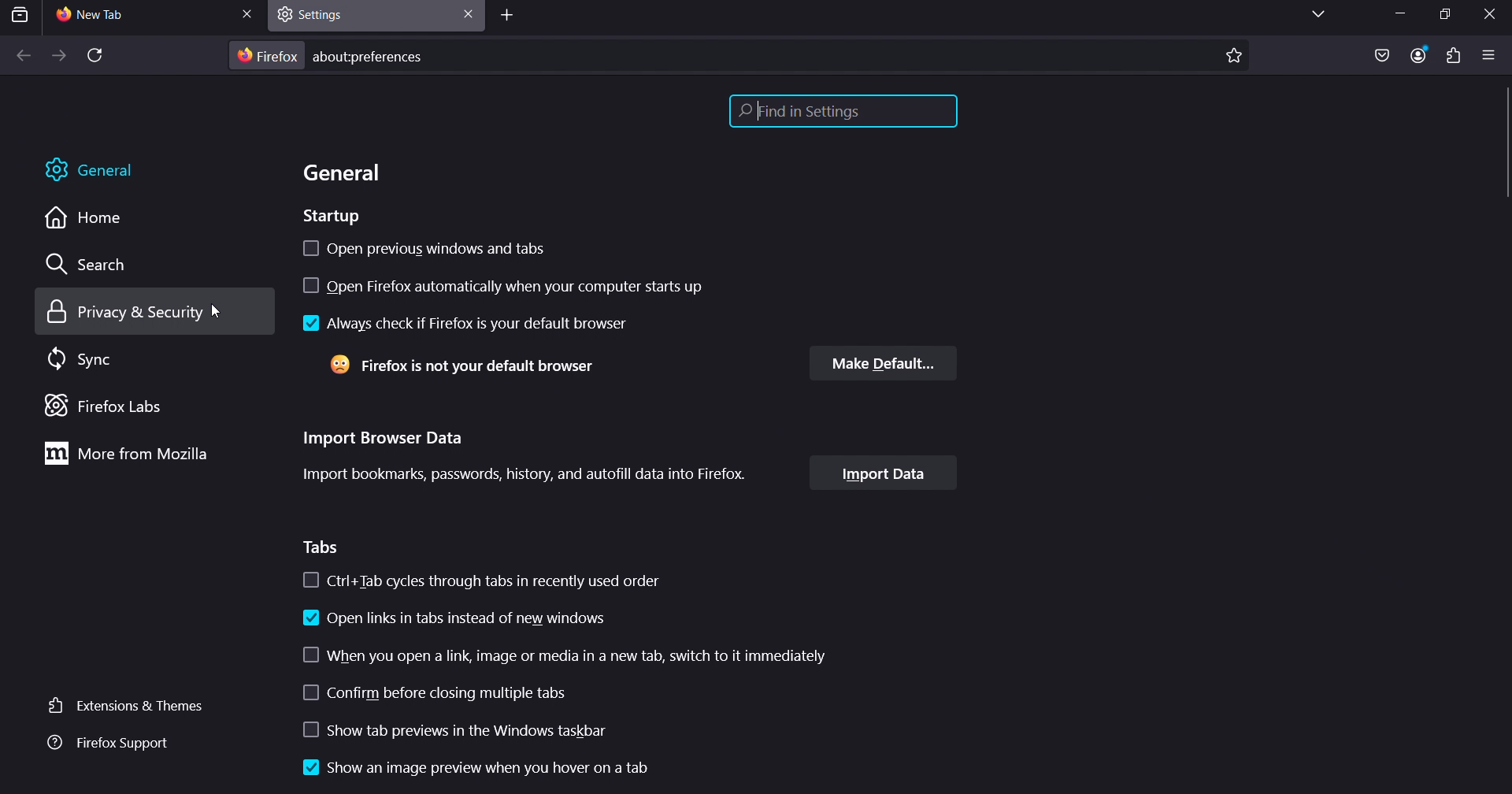  What do you see at coordinates (20, 15) in the screenshot?
I see `search tab` at bounding box center [20, 15].